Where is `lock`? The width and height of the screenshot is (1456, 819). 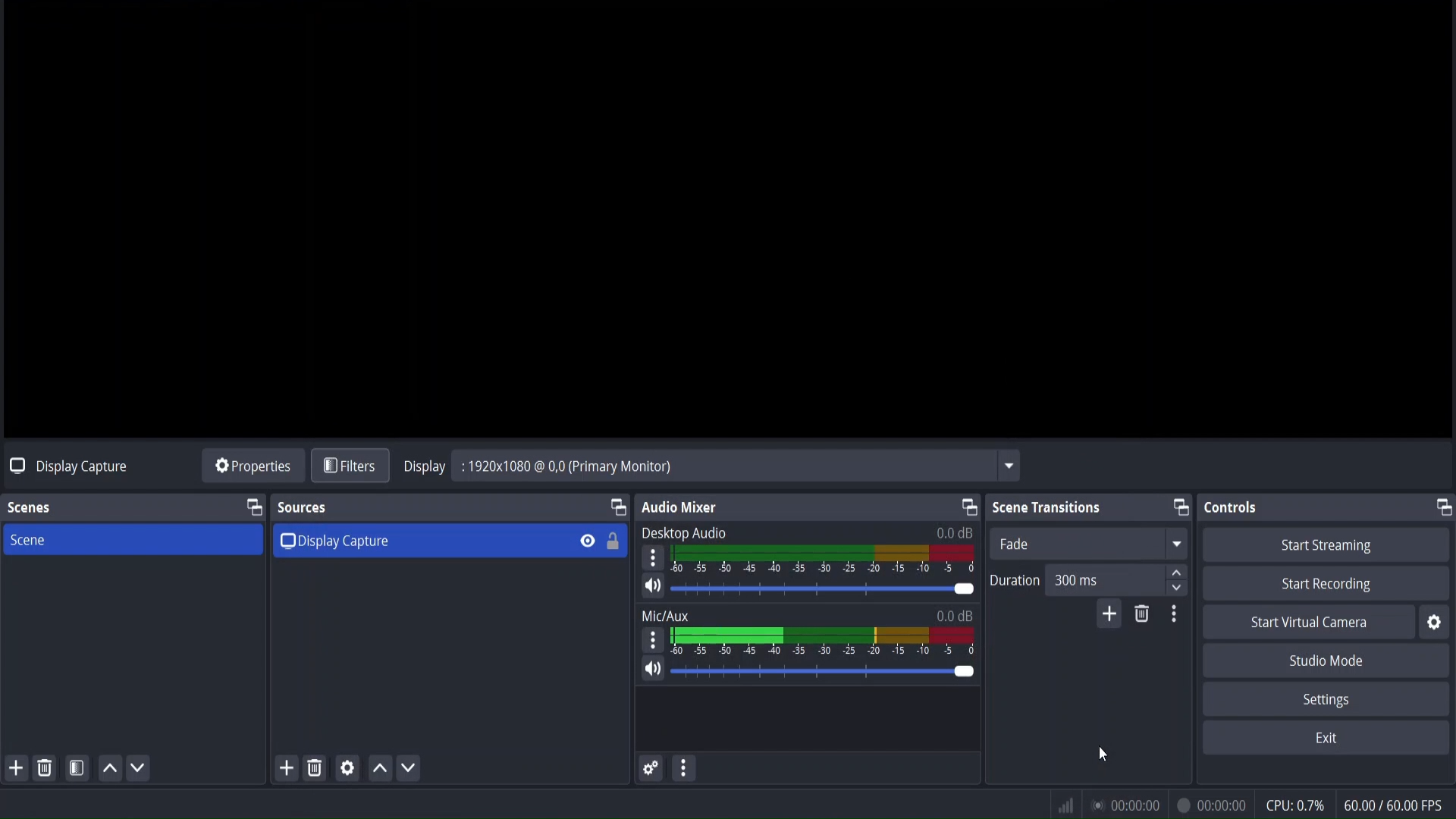 lock is located at coordinates (613, 541).